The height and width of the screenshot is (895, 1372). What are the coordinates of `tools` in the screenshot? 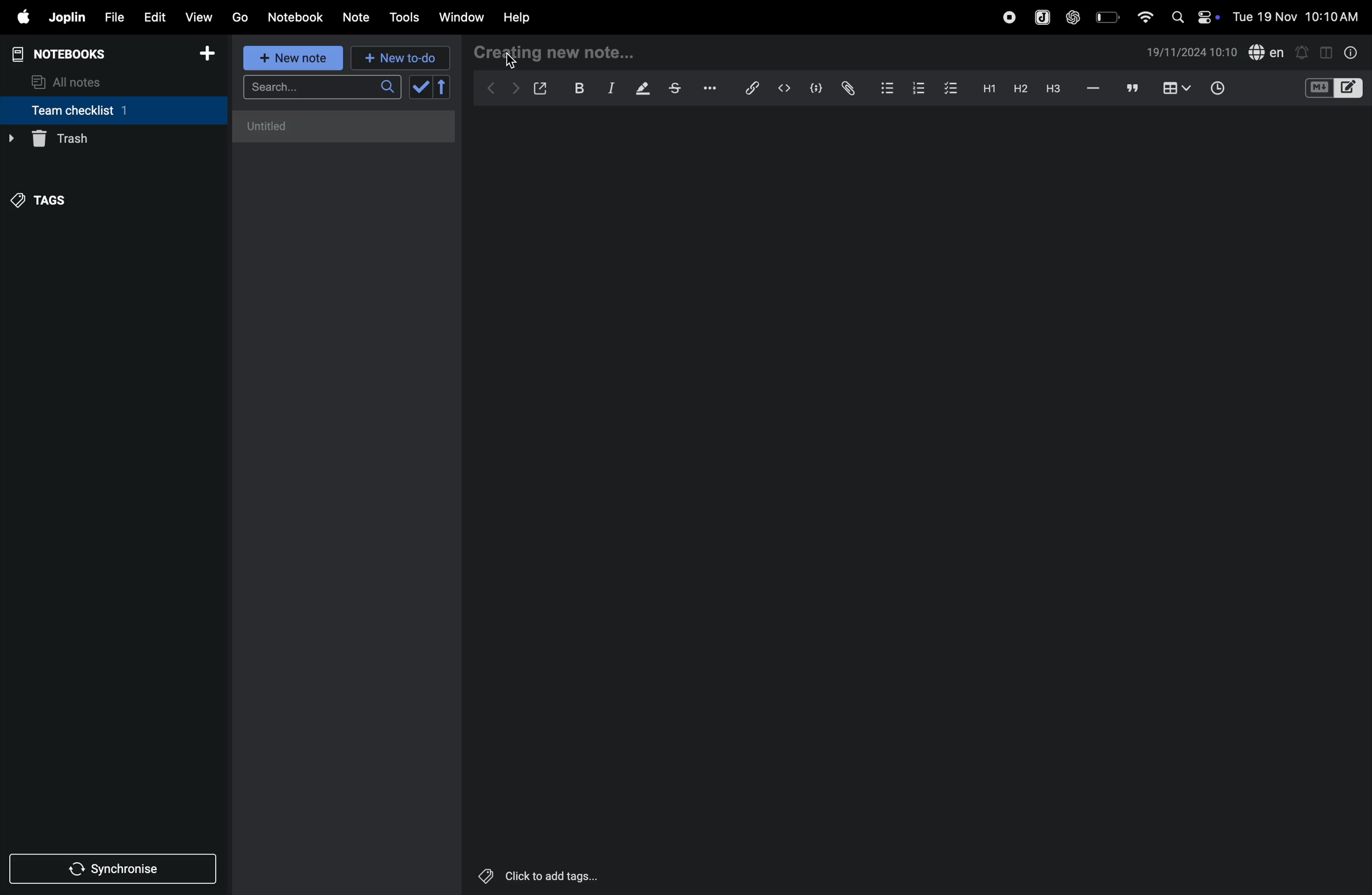 It's located at (406, 17).